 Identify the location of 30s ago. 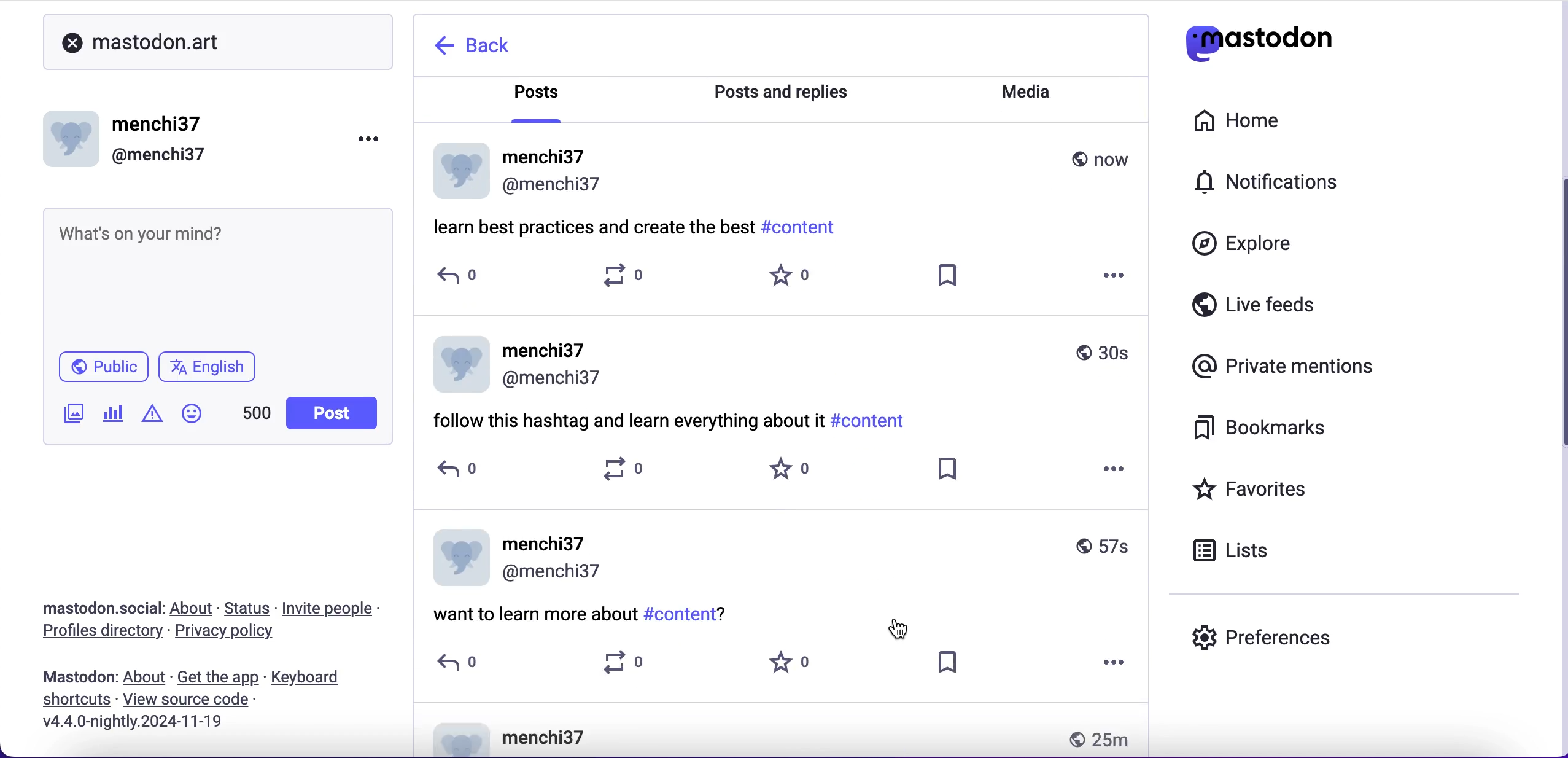
(1106, 348).